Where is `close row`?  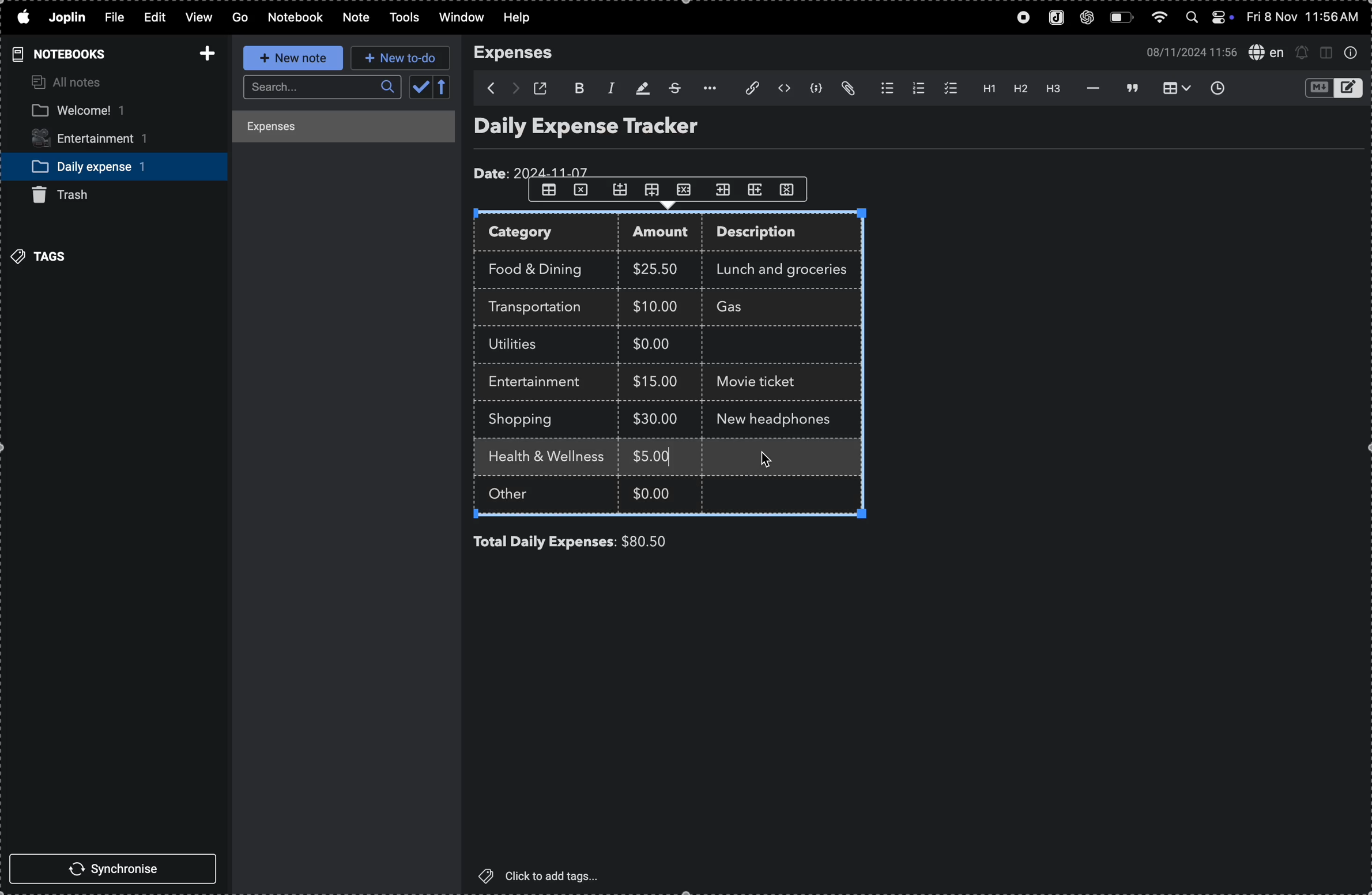
close row is located at coordinates (687, 189).